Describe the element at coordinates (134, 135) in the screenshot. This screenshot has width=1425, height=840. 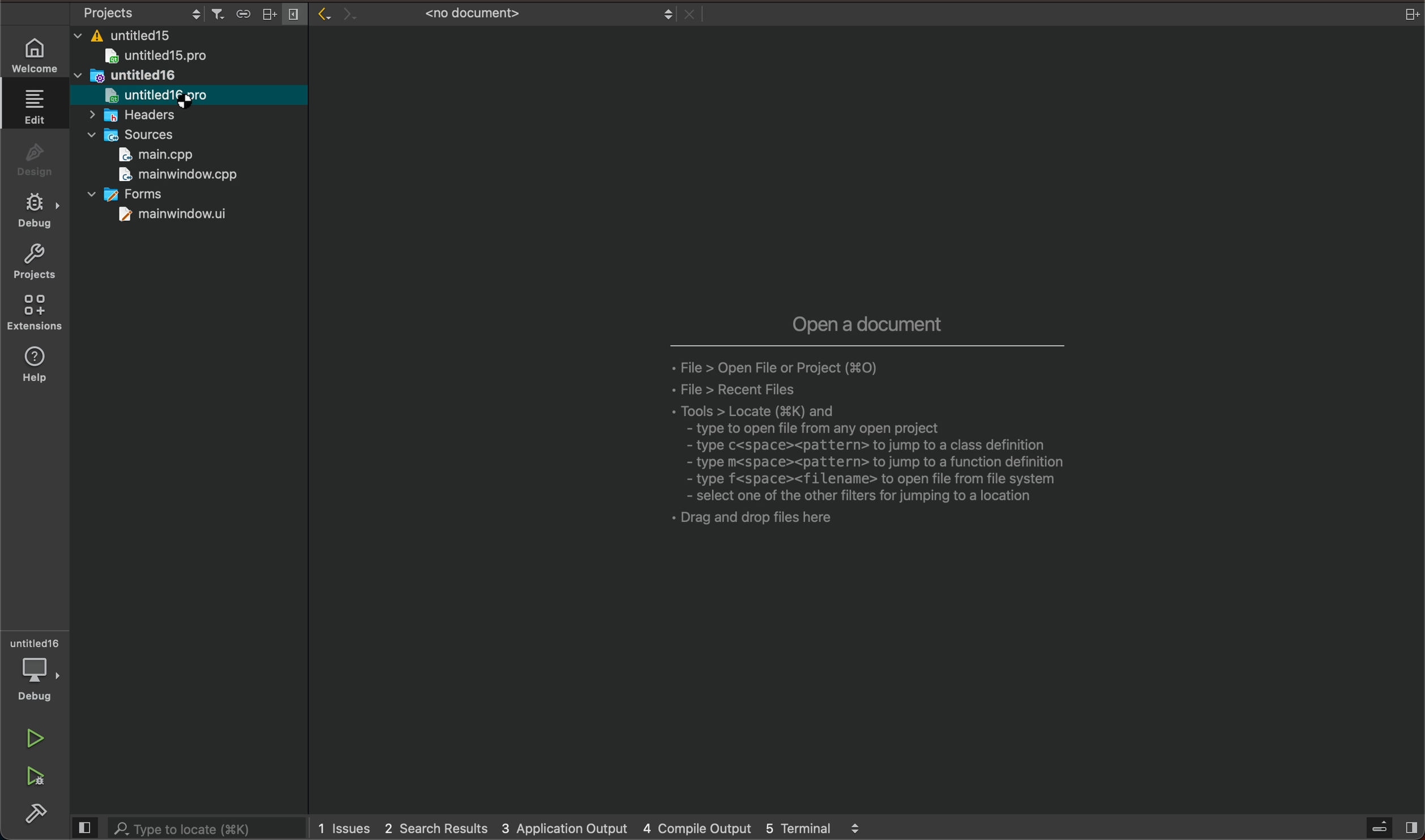
I see `sources` at that location.